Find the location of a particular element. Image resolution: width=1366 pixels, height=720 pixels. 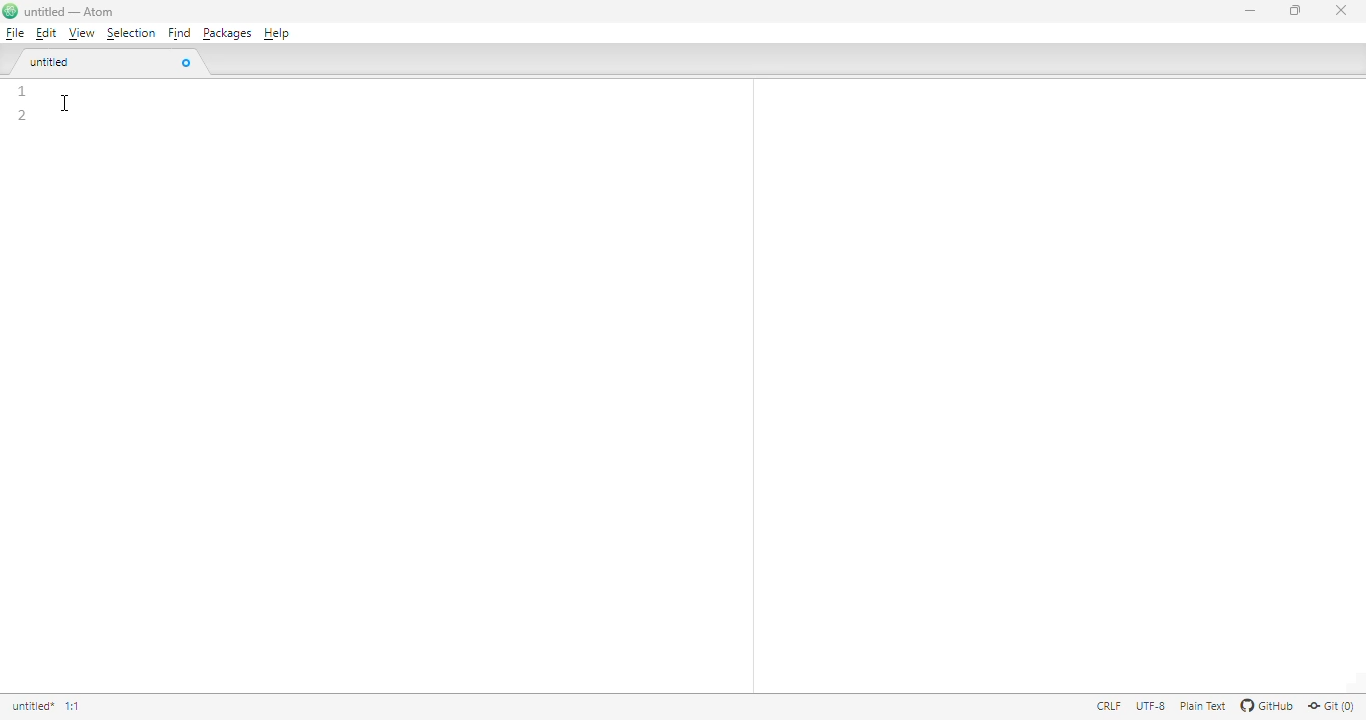

close is located at coordinates (1341, 11).